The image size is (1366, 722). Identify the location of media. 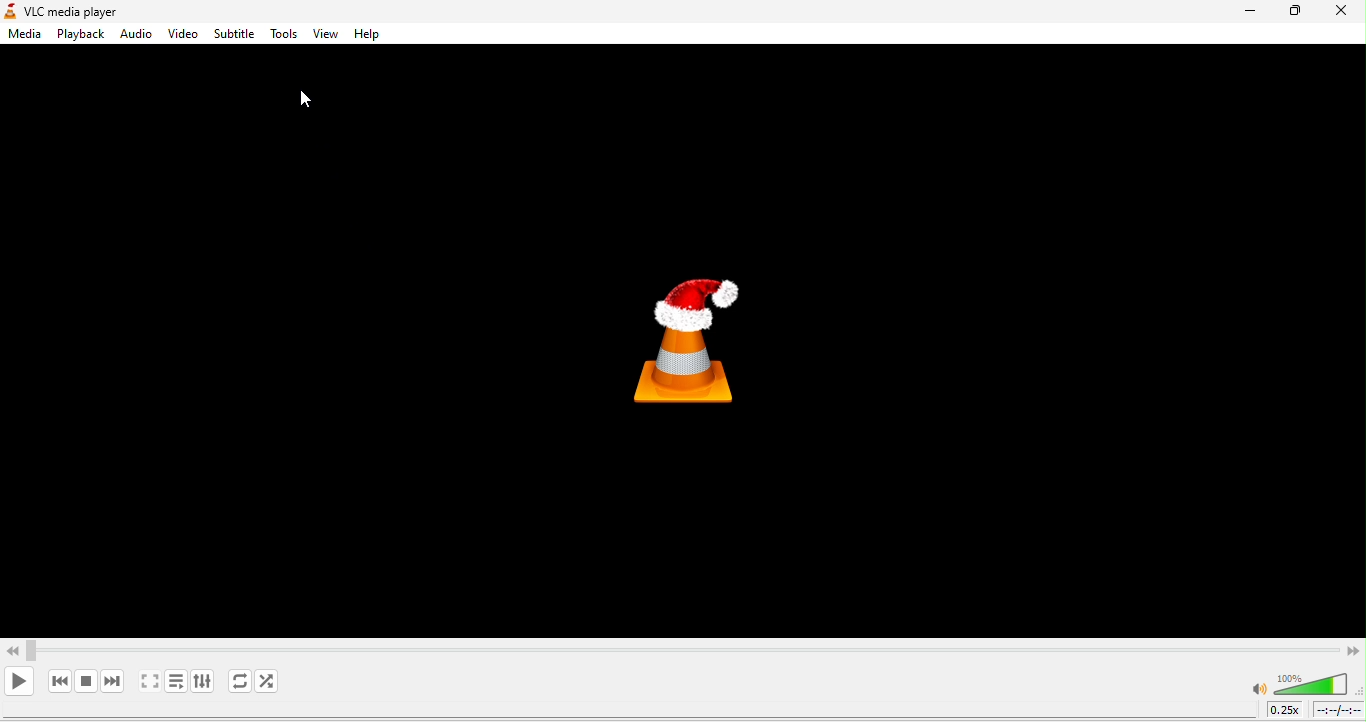
(23, 36).